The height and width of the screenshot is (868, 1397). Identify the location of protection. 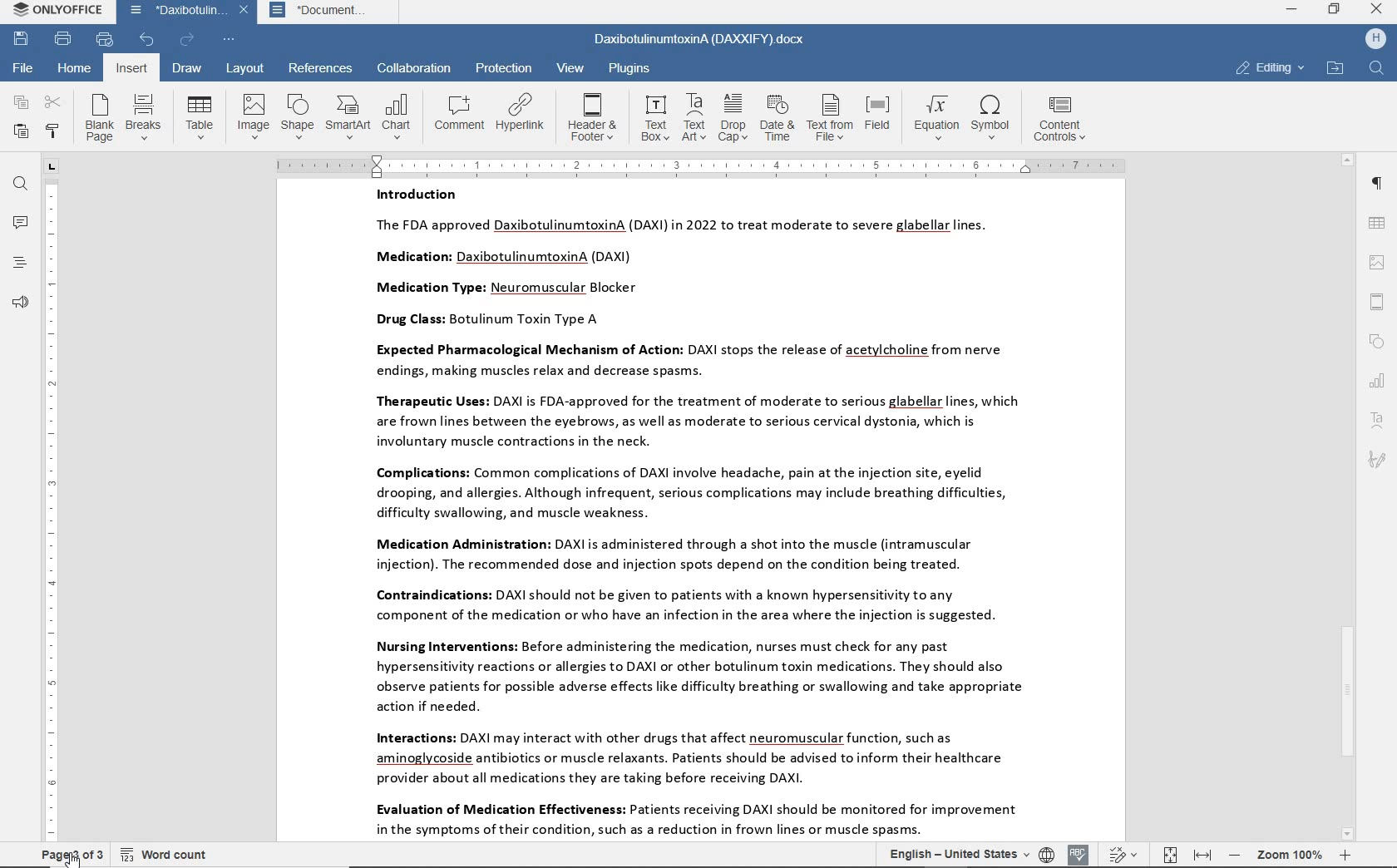
(502, 68).